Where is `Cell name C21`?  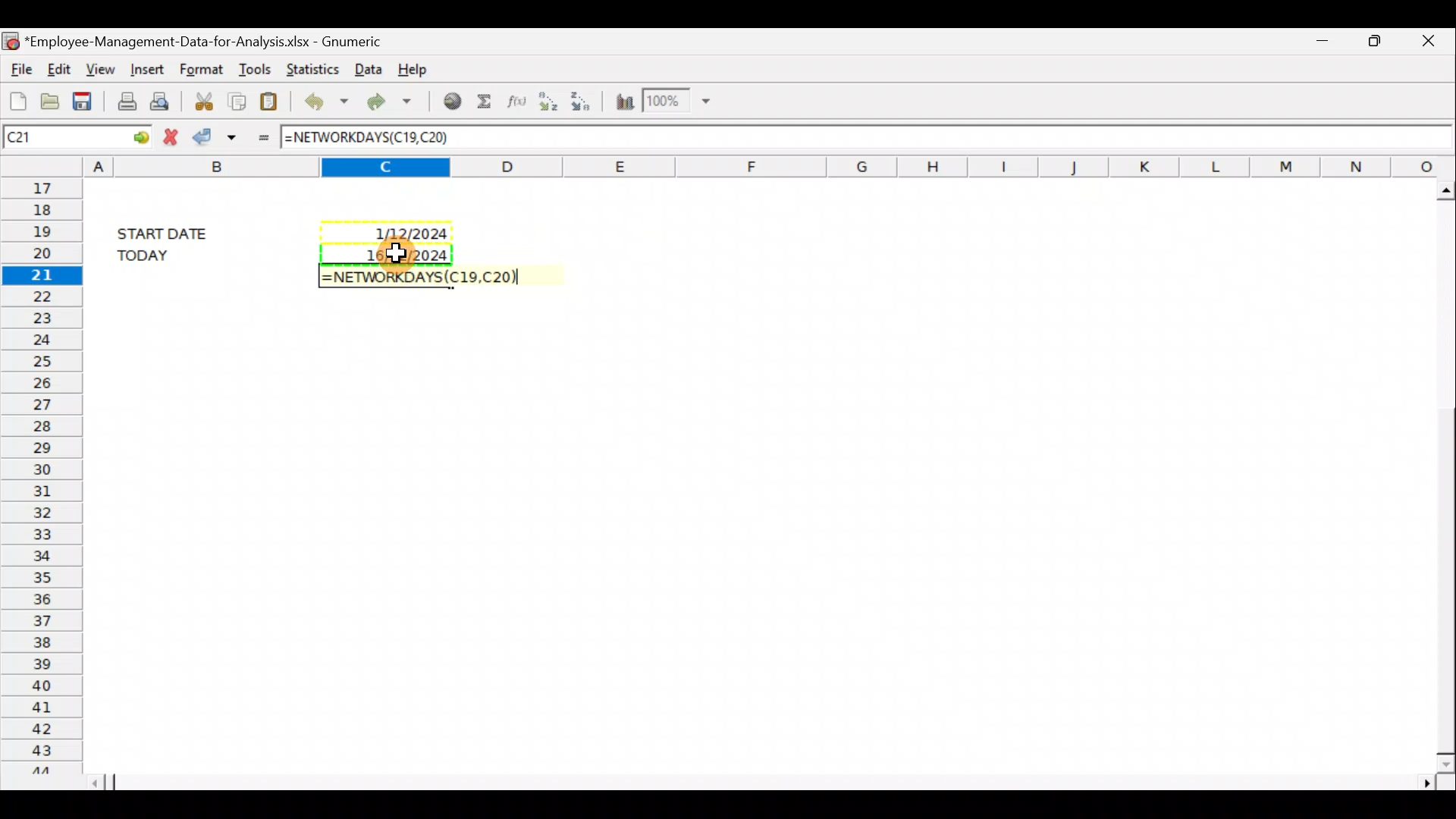 Cell name C21 is located at coordinates (49, 136).